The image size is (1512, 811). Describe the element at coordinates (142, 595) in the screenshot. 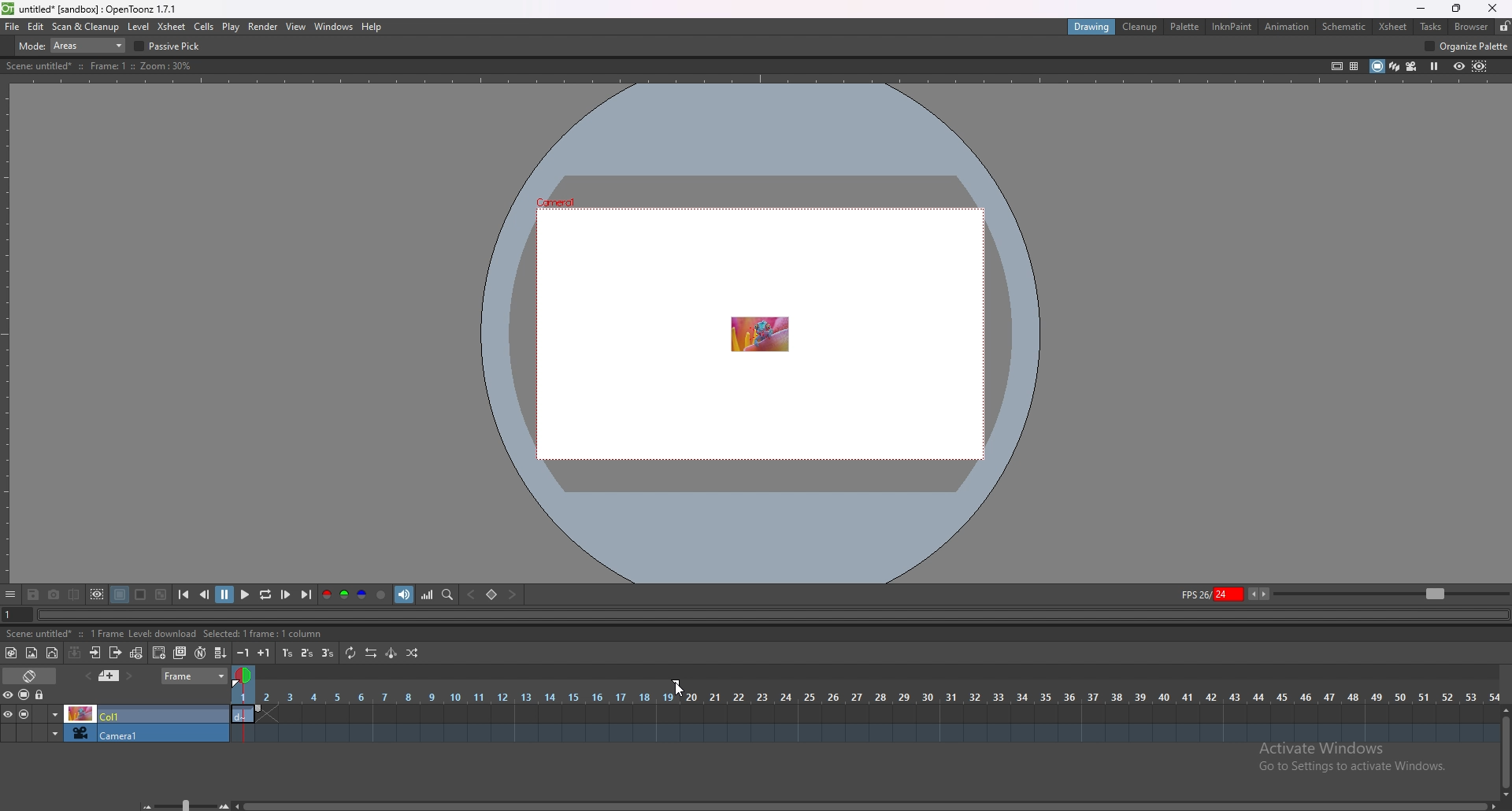

I see `white background` at that location.